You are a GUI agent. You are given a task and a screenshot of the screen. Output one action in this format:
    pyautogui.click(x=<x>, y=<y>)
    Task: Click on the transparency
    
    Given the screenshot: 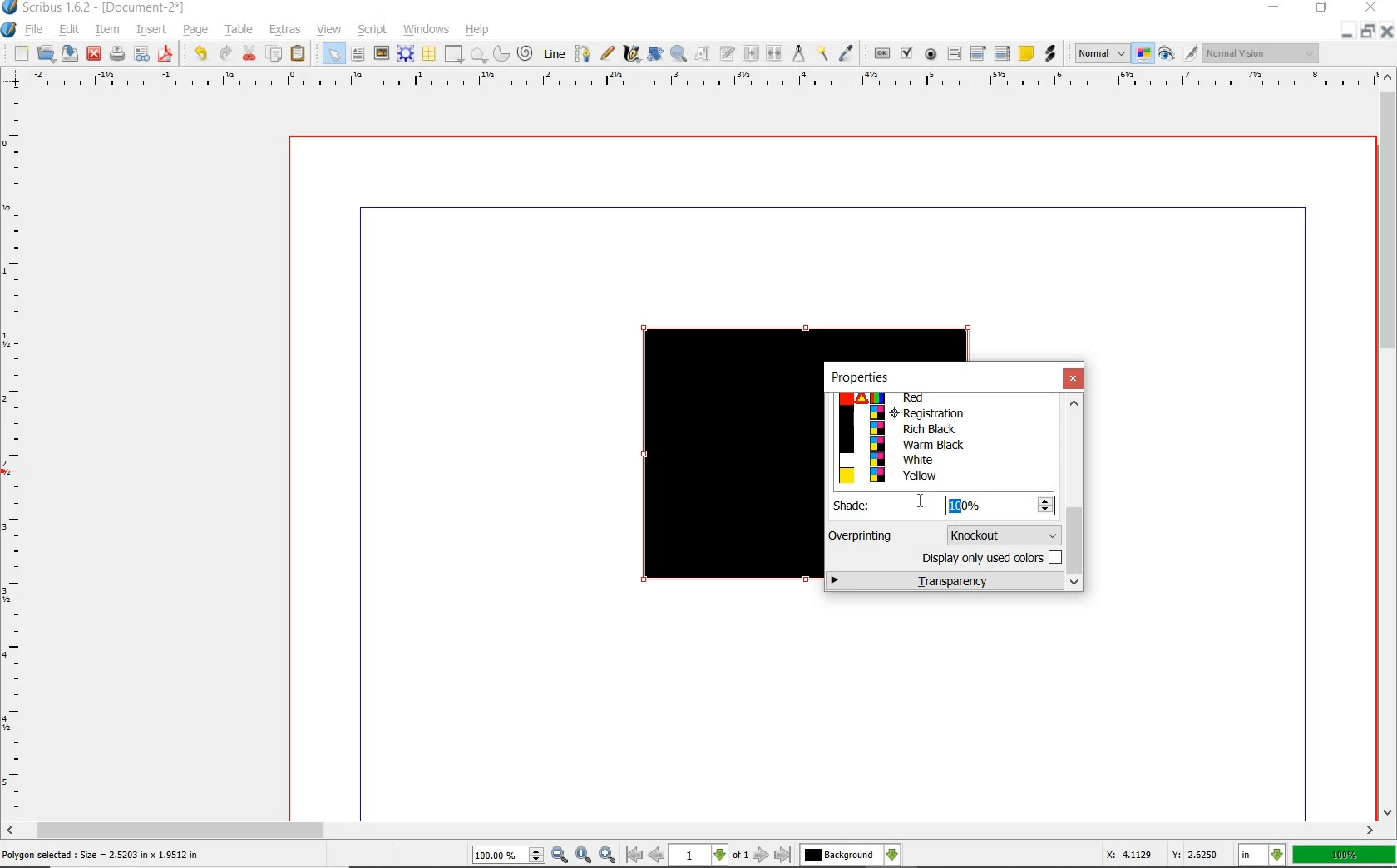 What is the action you would take?
    pyautogui.click(x=945, y=582)
    